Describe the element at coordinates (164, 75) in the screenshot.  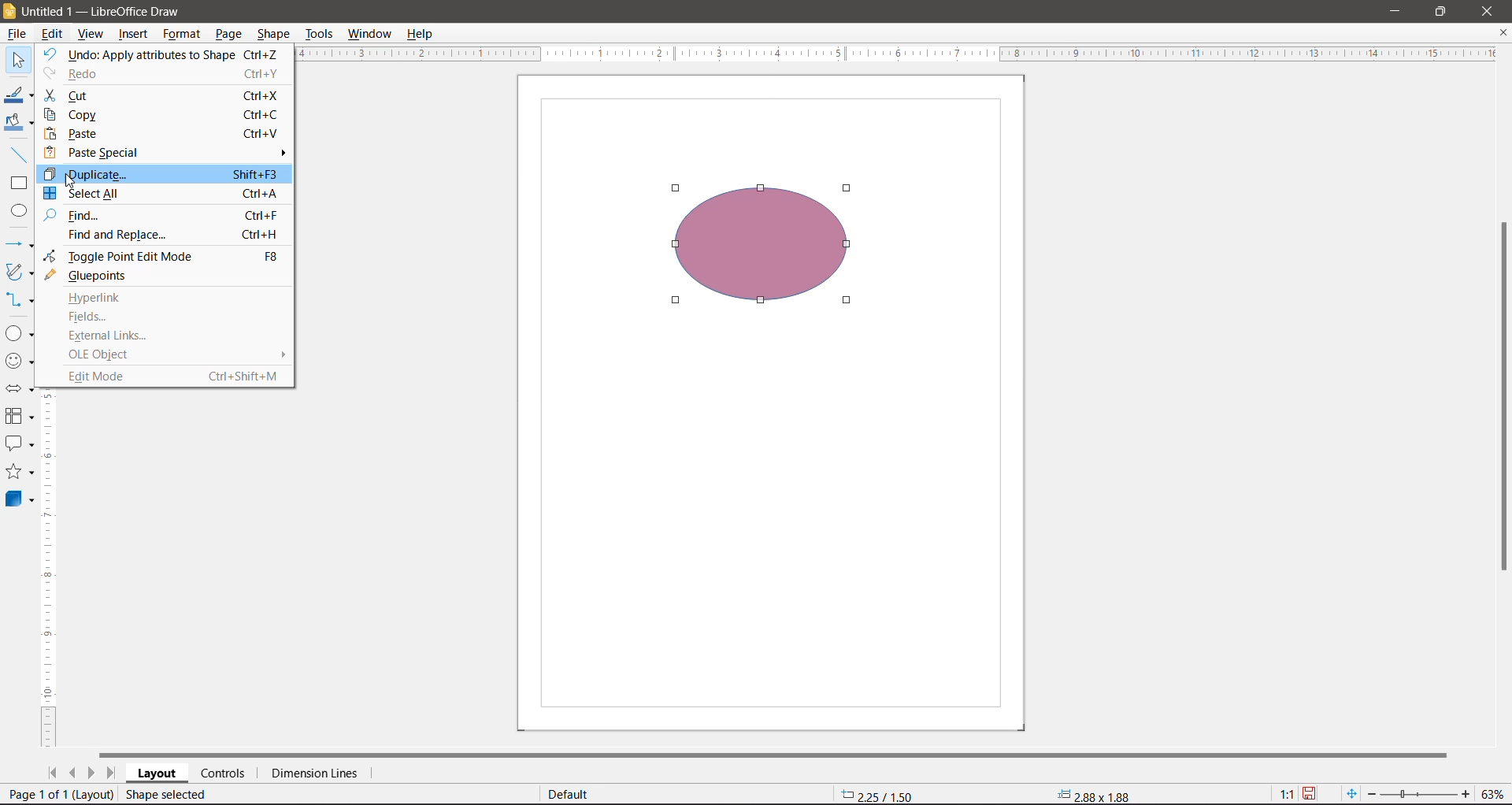
I see `Redo` at that location.